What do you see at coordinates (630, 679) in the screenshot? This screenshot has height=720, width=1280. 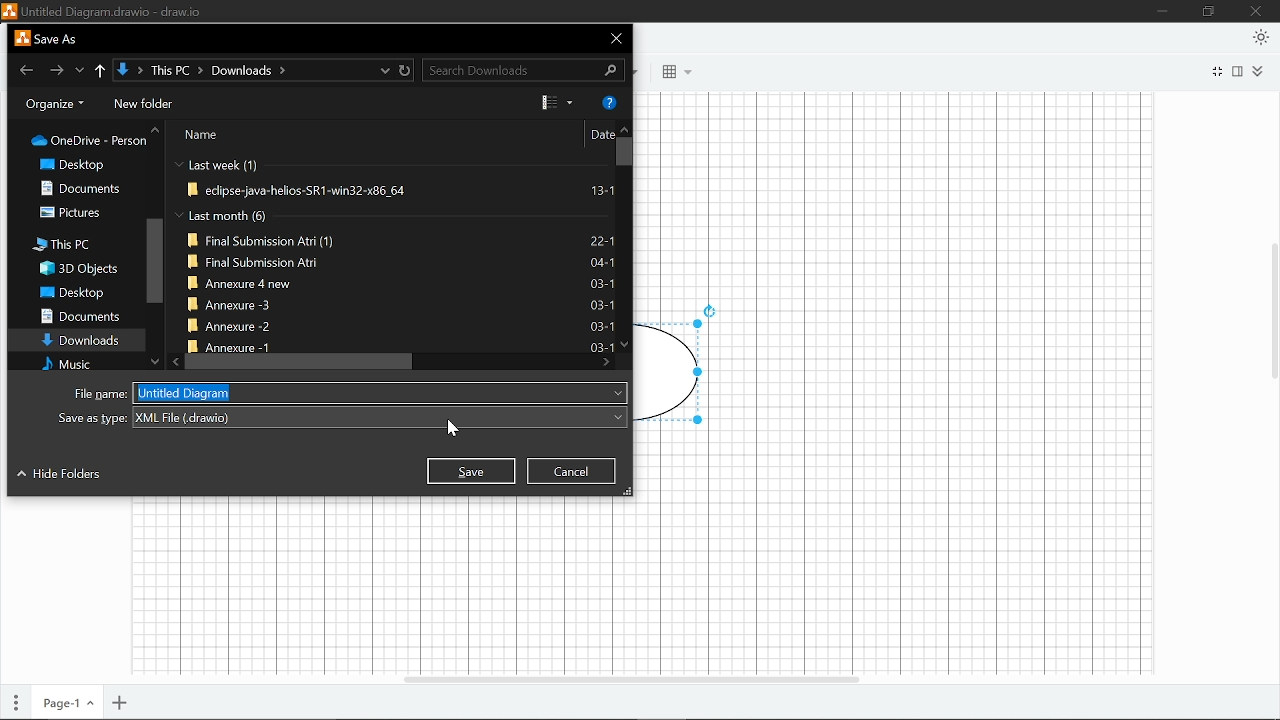 I see `Horizontal scrolbar` at bounding box center [630, 679].